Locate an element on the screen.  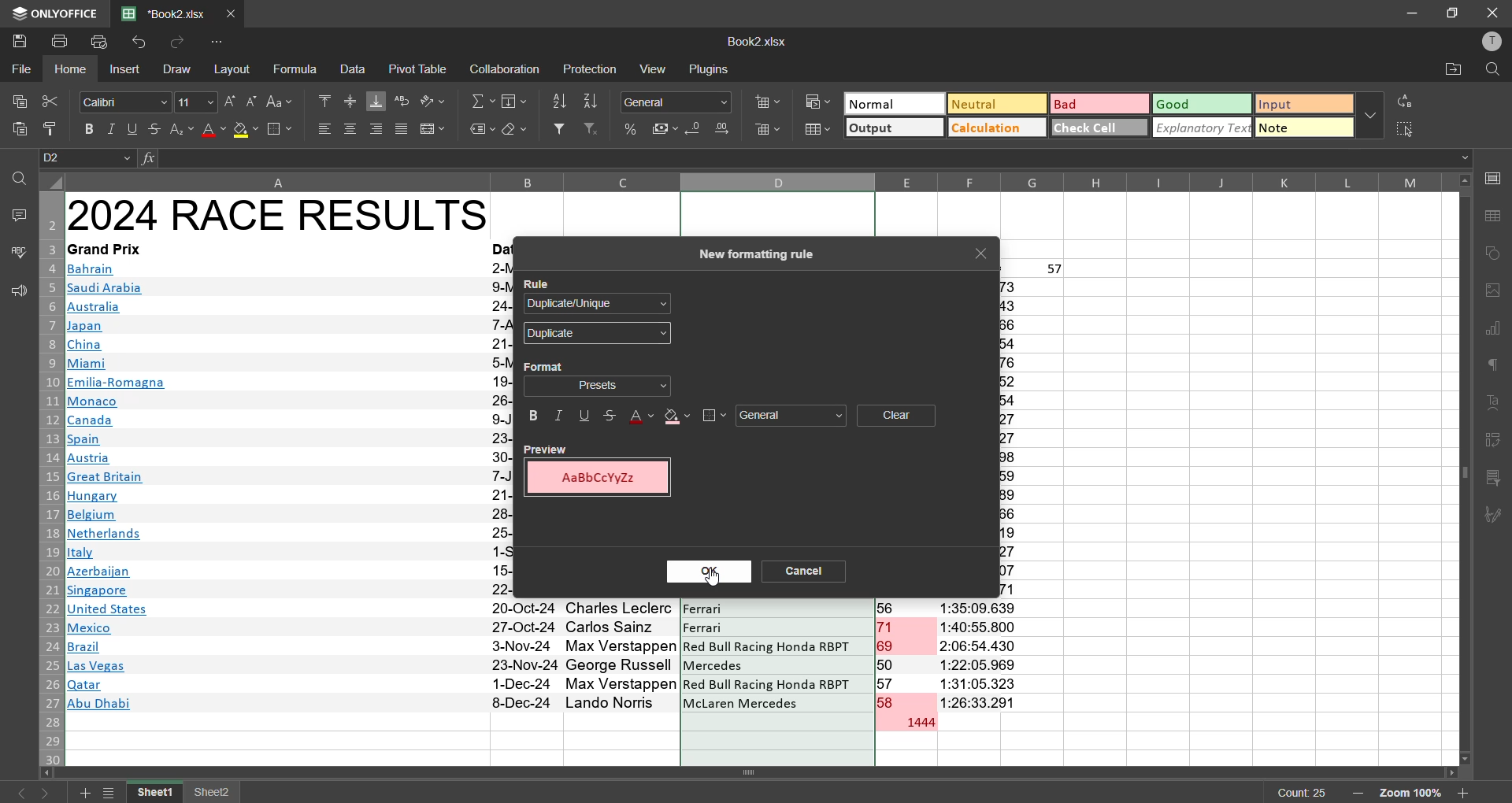
layout is located at coordinates (235, 69).